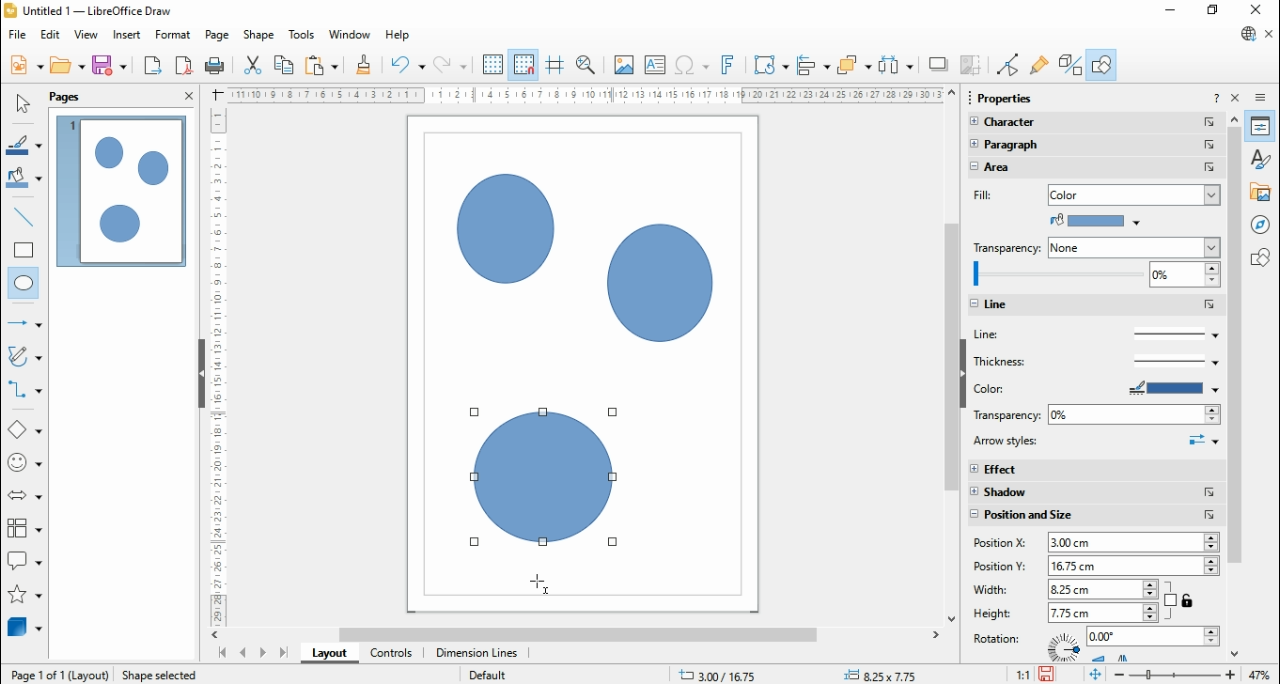 The image size is (1280, 684). Describe the element at coordinates (26, 217) in the screenshot. I see `insert line` at that location.